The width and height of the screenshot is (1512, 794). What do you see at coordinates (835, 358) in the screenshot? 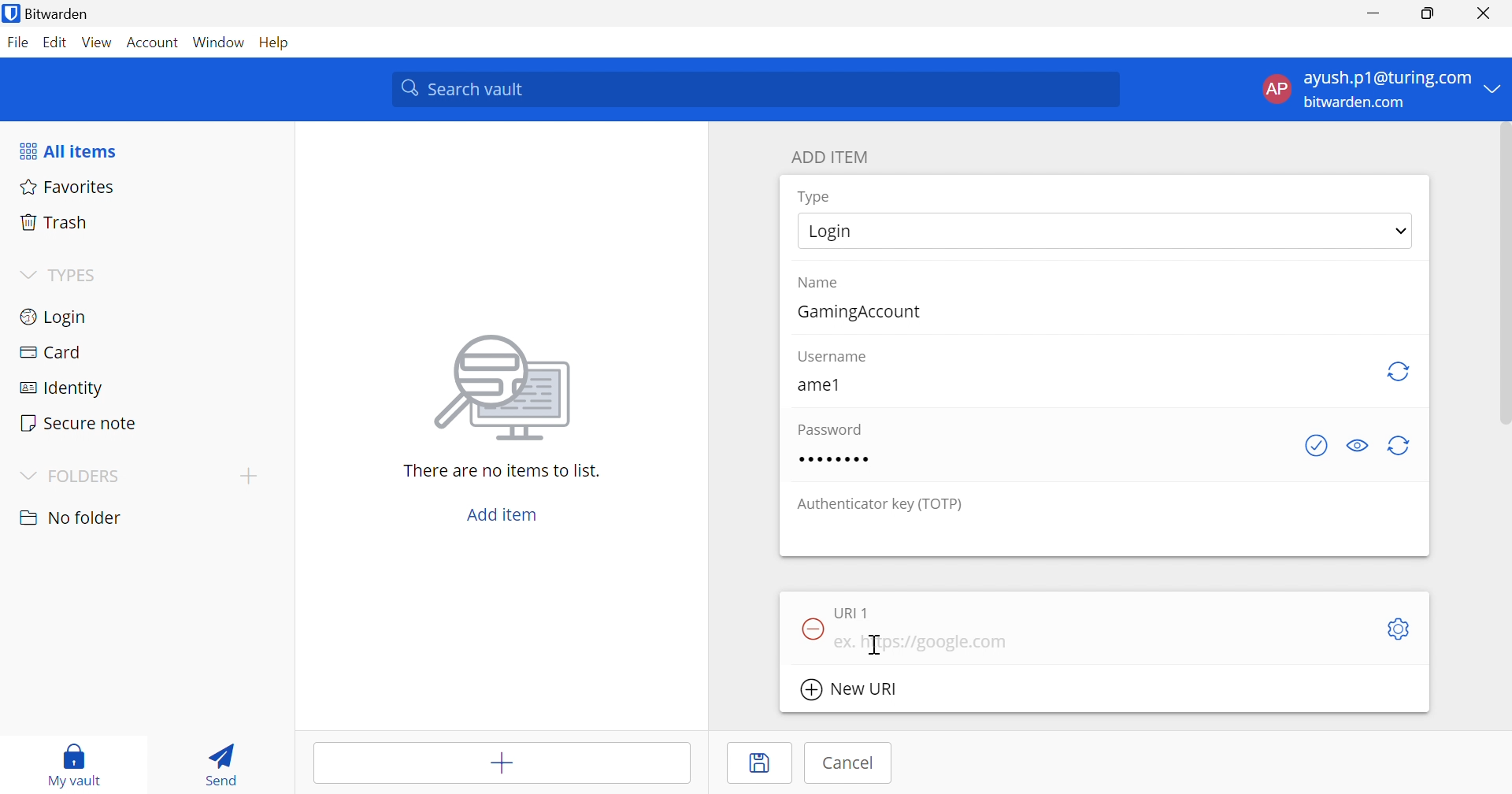
I see `Username` at bounding box center [835, 358].